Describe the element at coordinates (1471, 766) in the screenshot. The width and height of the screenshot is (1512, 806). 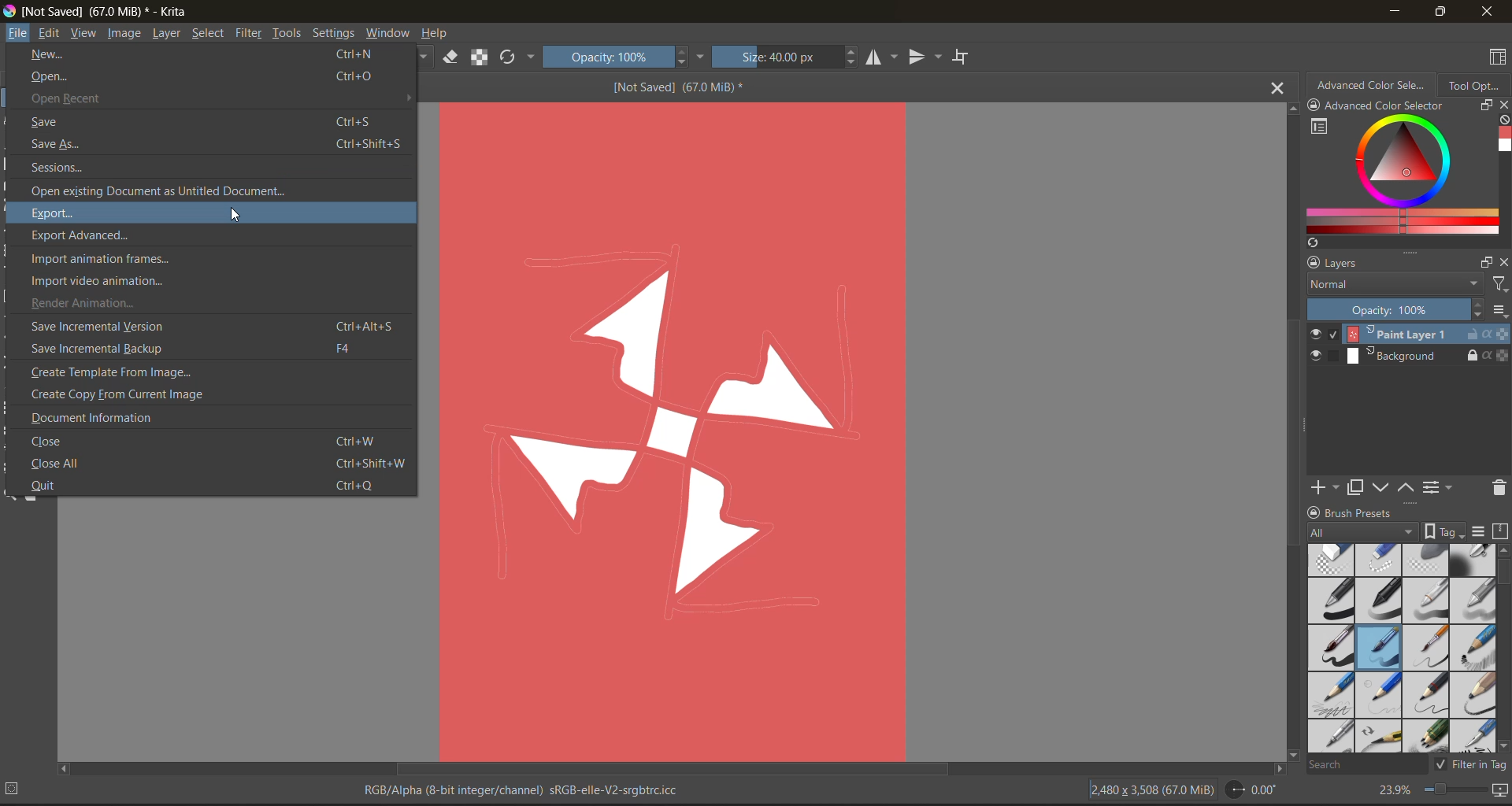
I see `filter tag` at that location.